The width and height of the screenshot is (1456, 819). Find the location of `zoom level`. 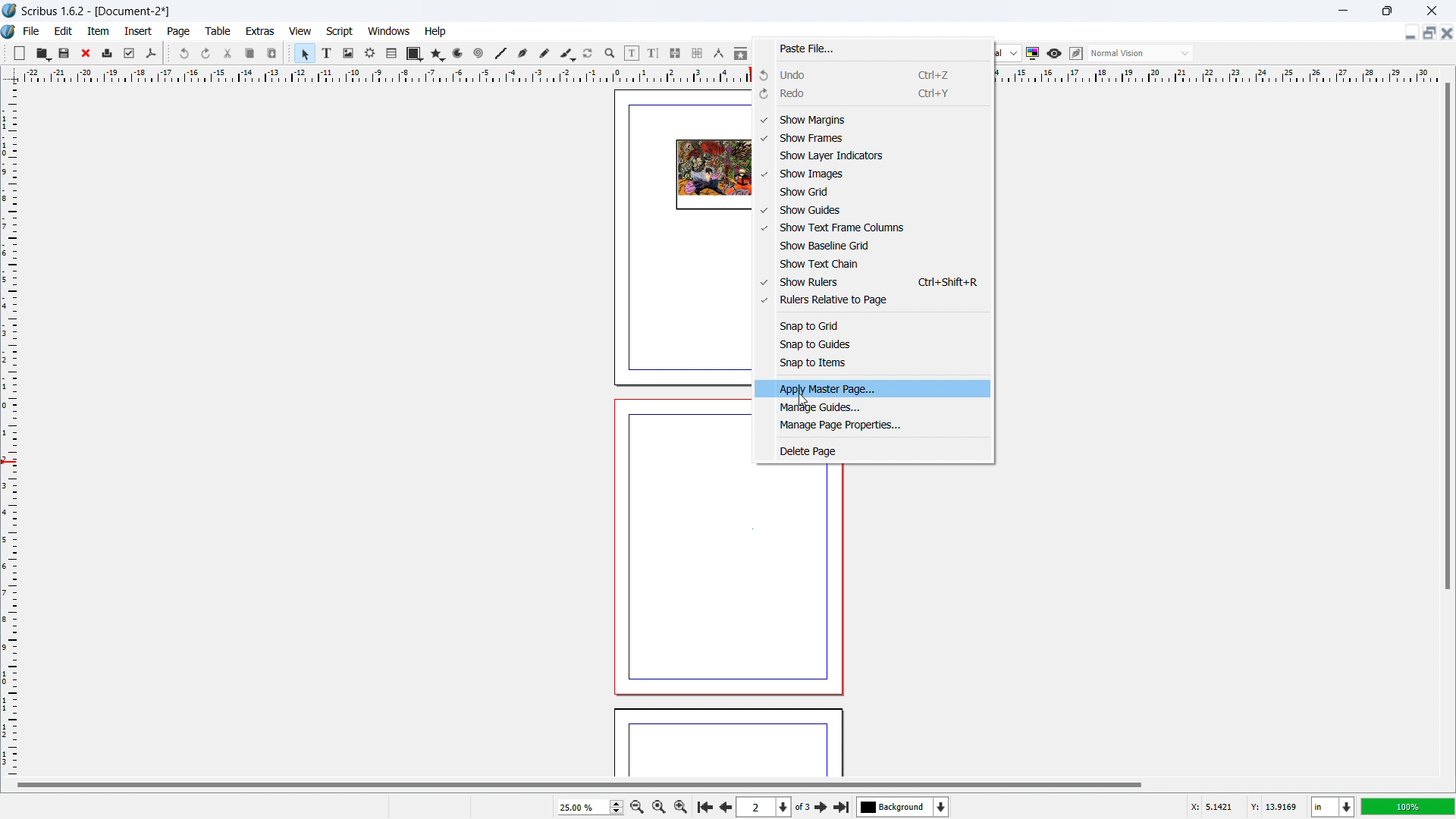

zoom level is located at coordinates (590, 807).